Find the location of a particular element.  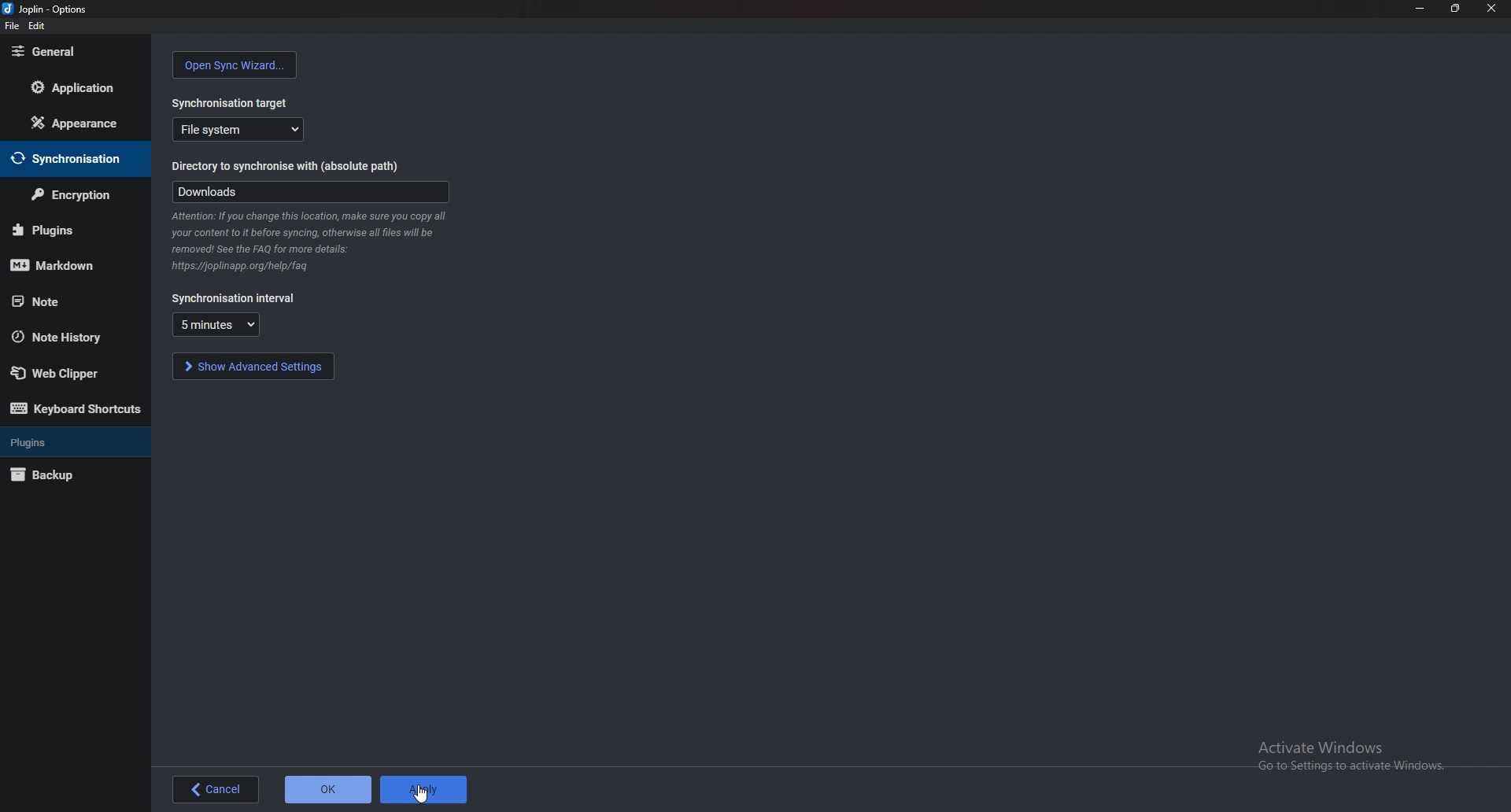

note is located at coordinates (59, 301).